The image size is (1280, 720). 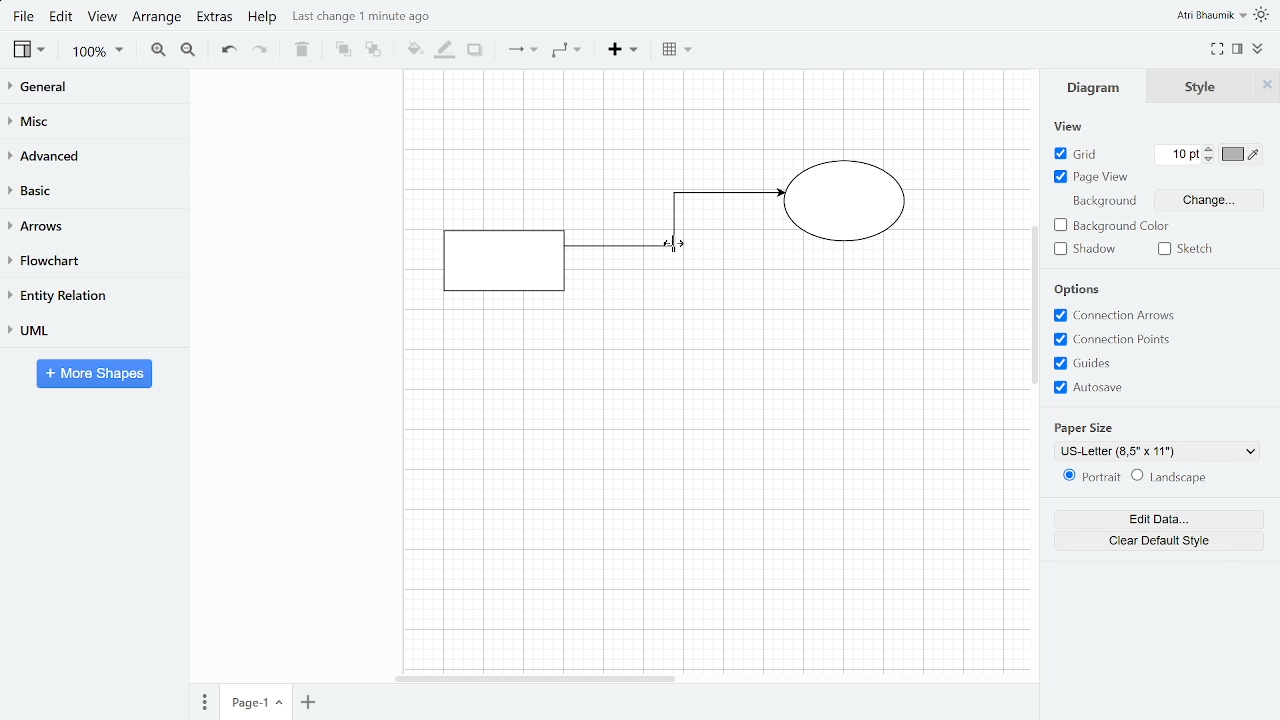 I want to click on Extras, so click(x=214, y=20).